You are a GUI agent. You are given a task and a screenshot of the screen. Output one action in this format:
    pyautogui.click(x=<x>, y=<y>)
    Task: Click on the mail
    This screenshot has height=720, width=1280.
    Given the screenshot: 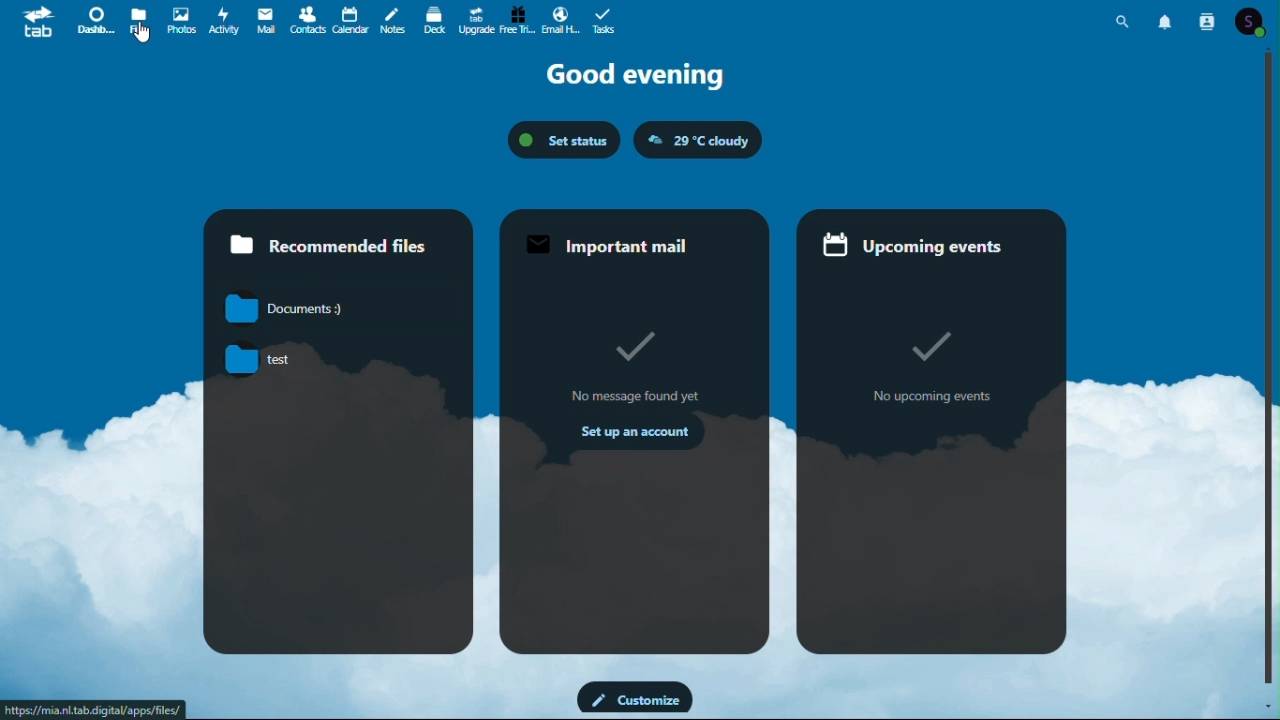 What is the action you would take?
    pyautogui.click(x=265, y=20)
    